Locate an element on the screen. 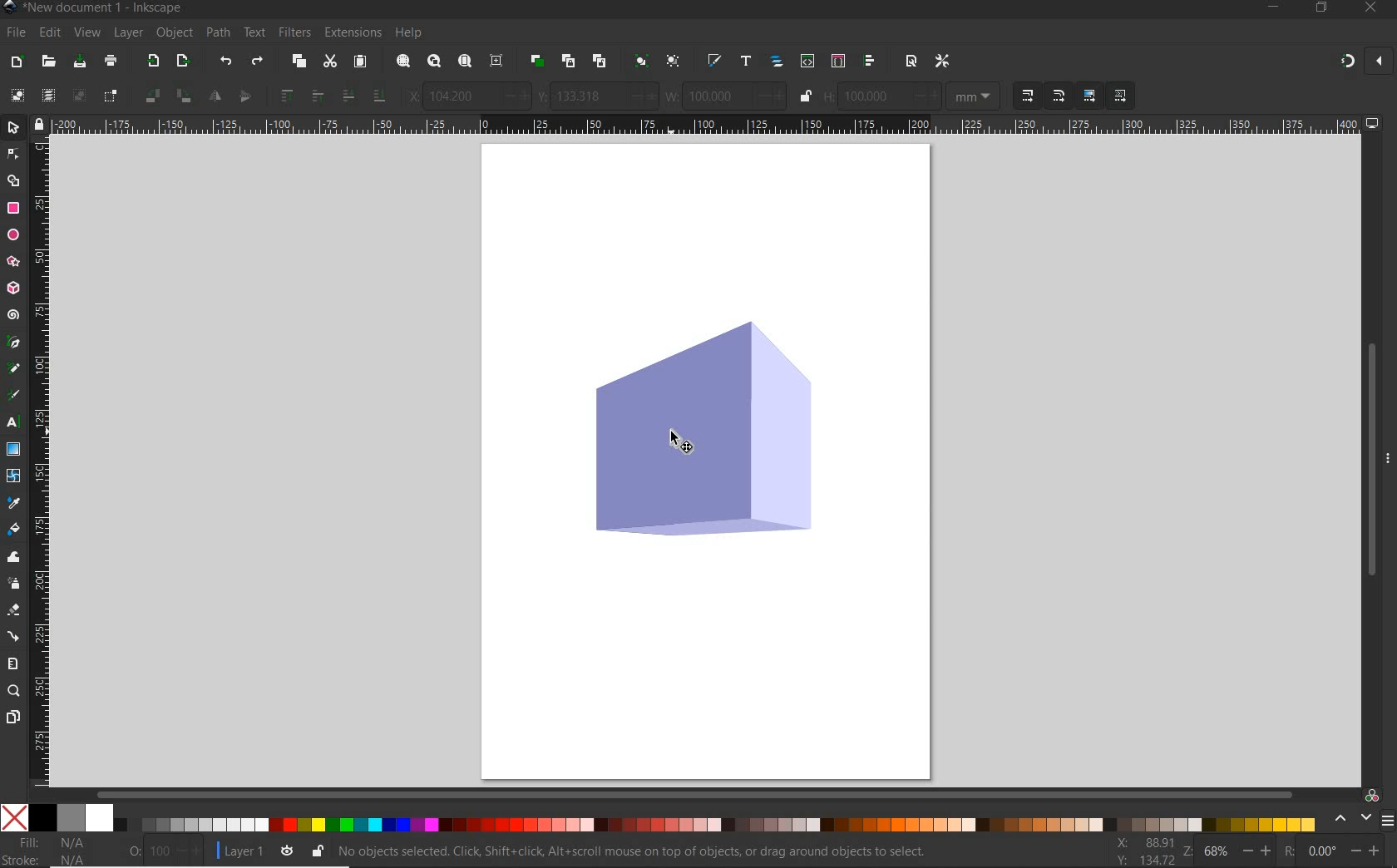 Image resolution: width=1397 pixels, height=868 pixels. SELECTOR TOOL is located at coordinates (13, 128).